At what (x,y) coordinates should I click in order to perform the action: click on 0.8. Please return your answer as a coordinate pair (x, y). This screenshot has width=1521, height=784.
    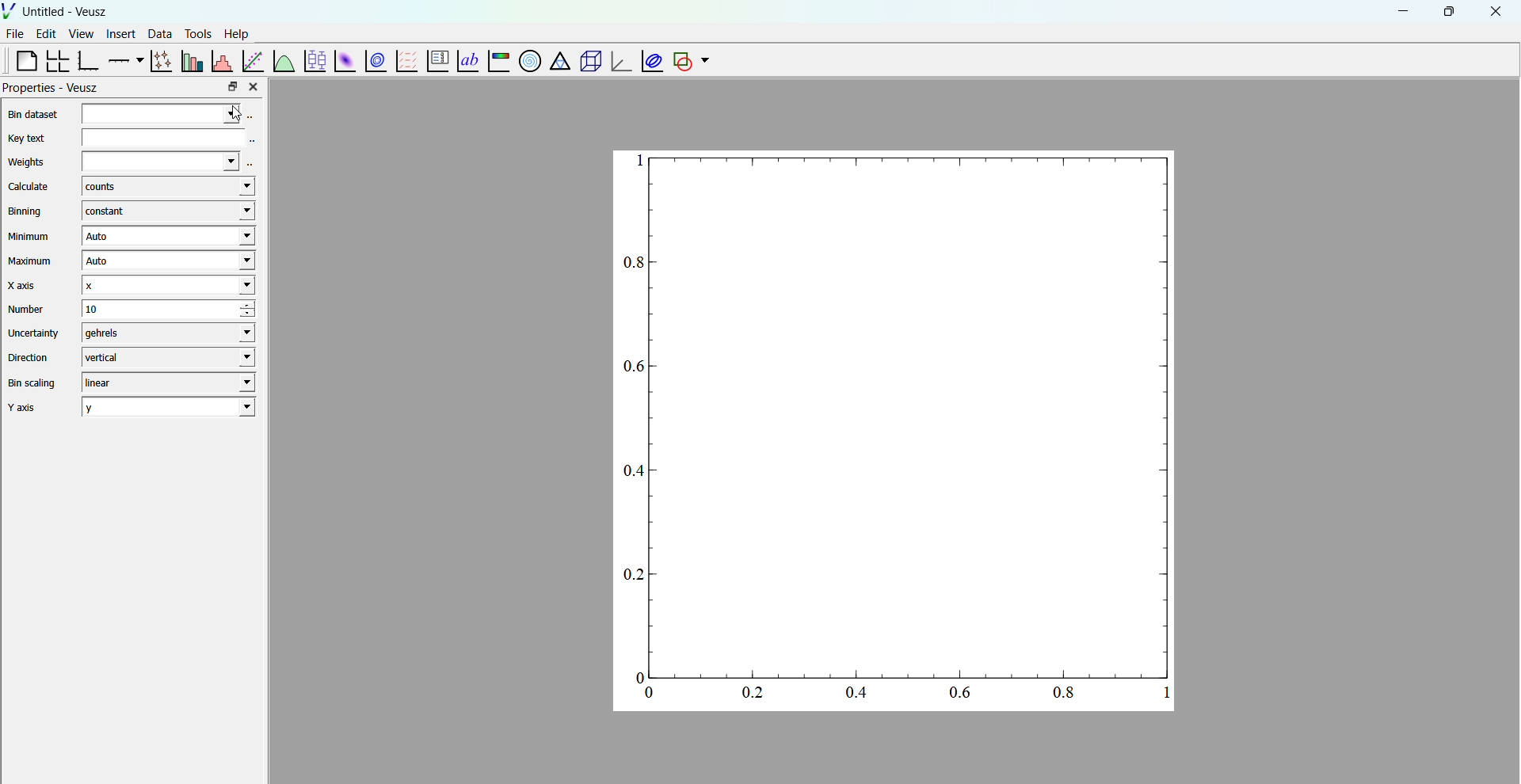
    Looking at the image, I should click on (632, 263).